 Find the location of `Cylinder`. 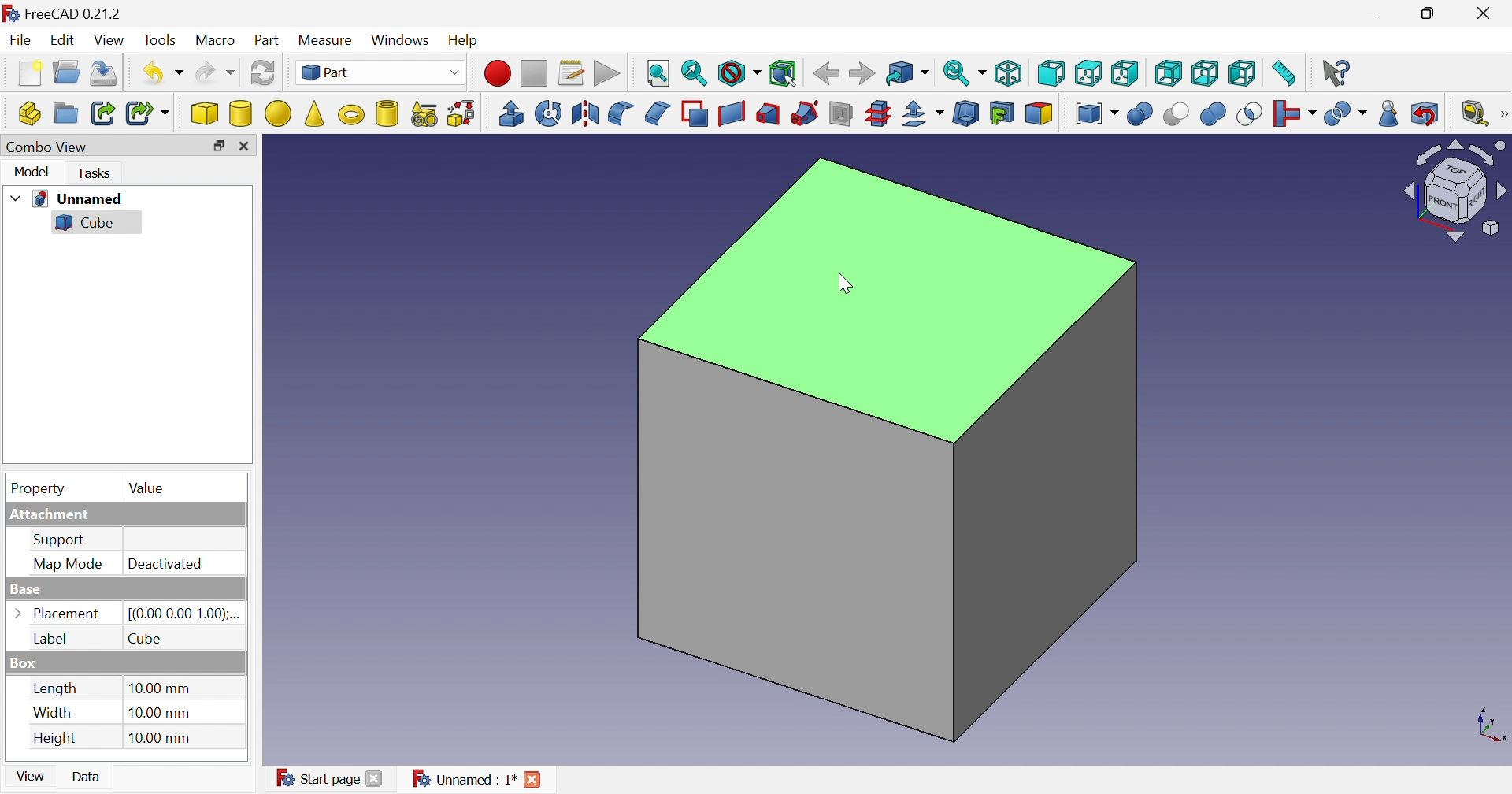

Cylinder is located at coordinates (241, 115).